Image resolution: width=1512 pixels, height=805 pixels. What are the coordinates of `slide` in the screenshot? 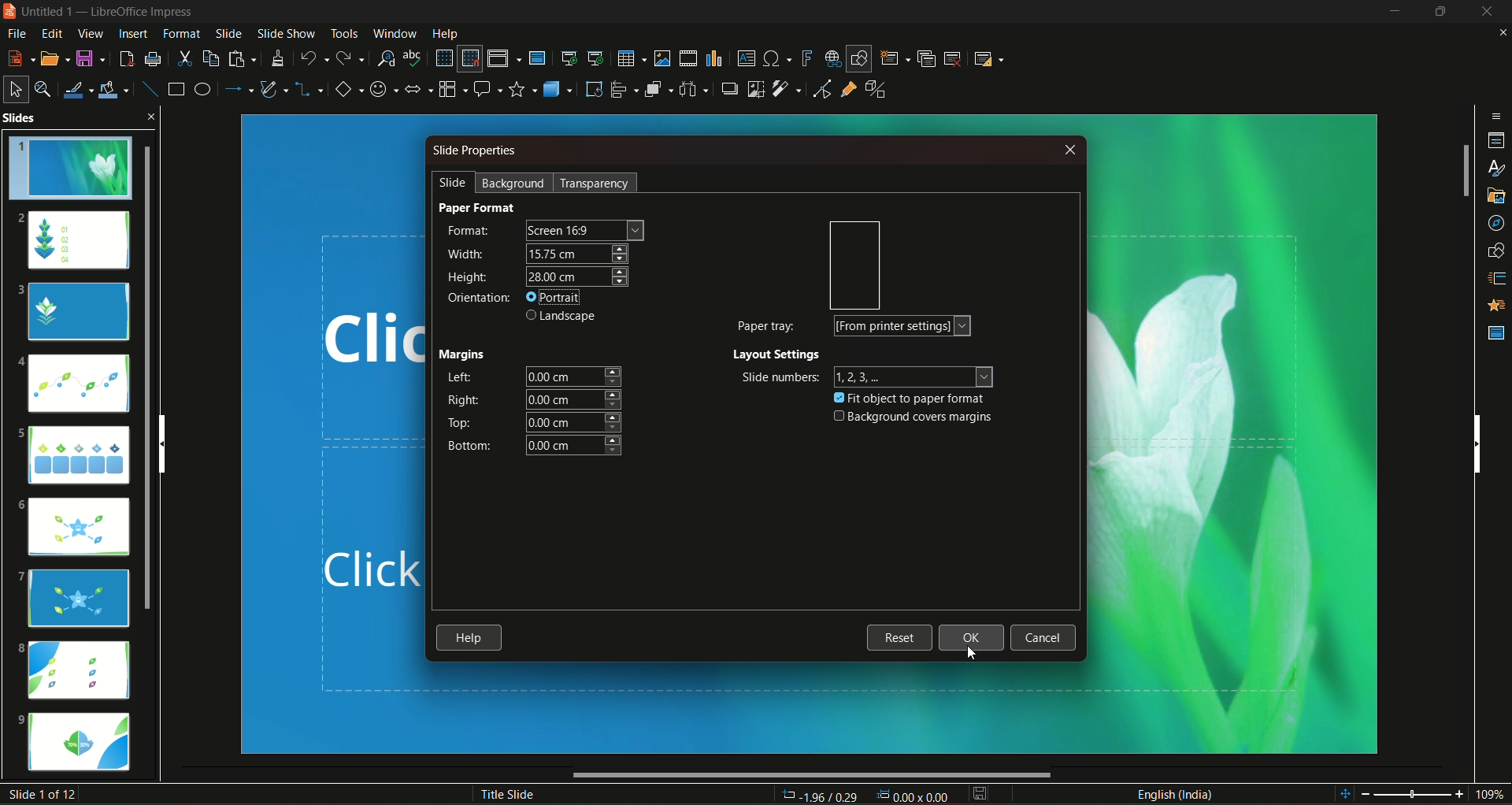 It's located at (448, 183).